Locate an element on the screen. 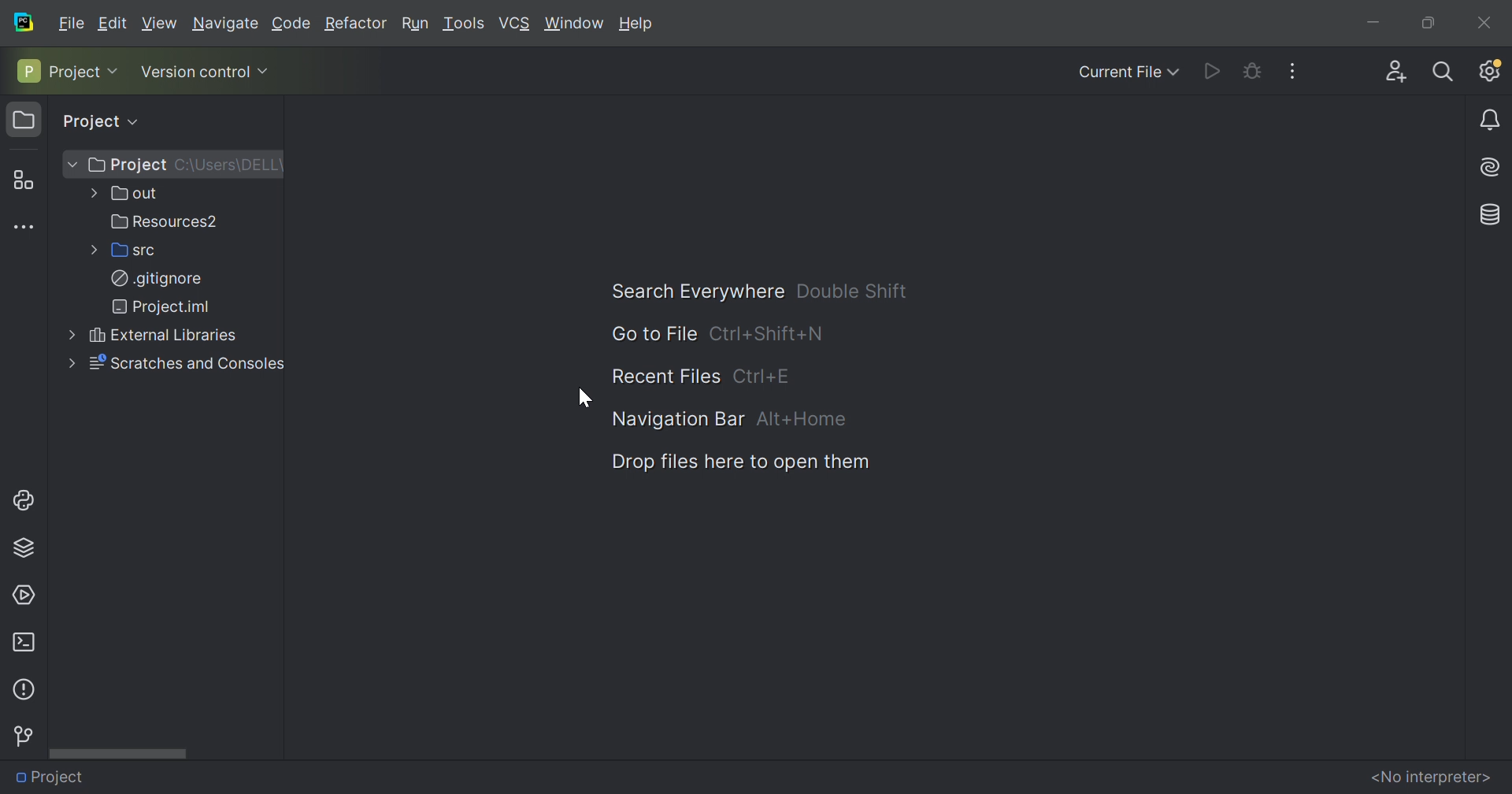  Fiele is located at coordinates (73, 21).